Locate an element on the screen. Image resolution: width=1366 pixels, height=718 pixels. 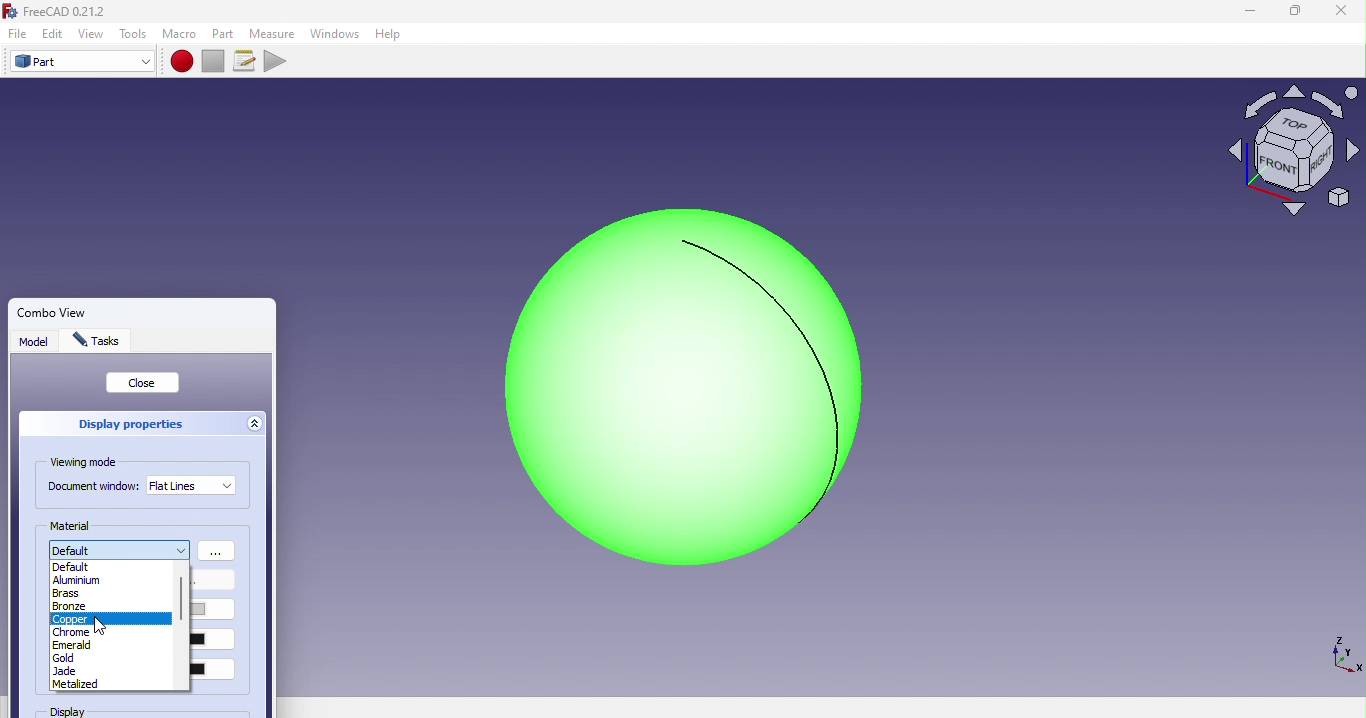
Material is located at coordinates (73, 526).